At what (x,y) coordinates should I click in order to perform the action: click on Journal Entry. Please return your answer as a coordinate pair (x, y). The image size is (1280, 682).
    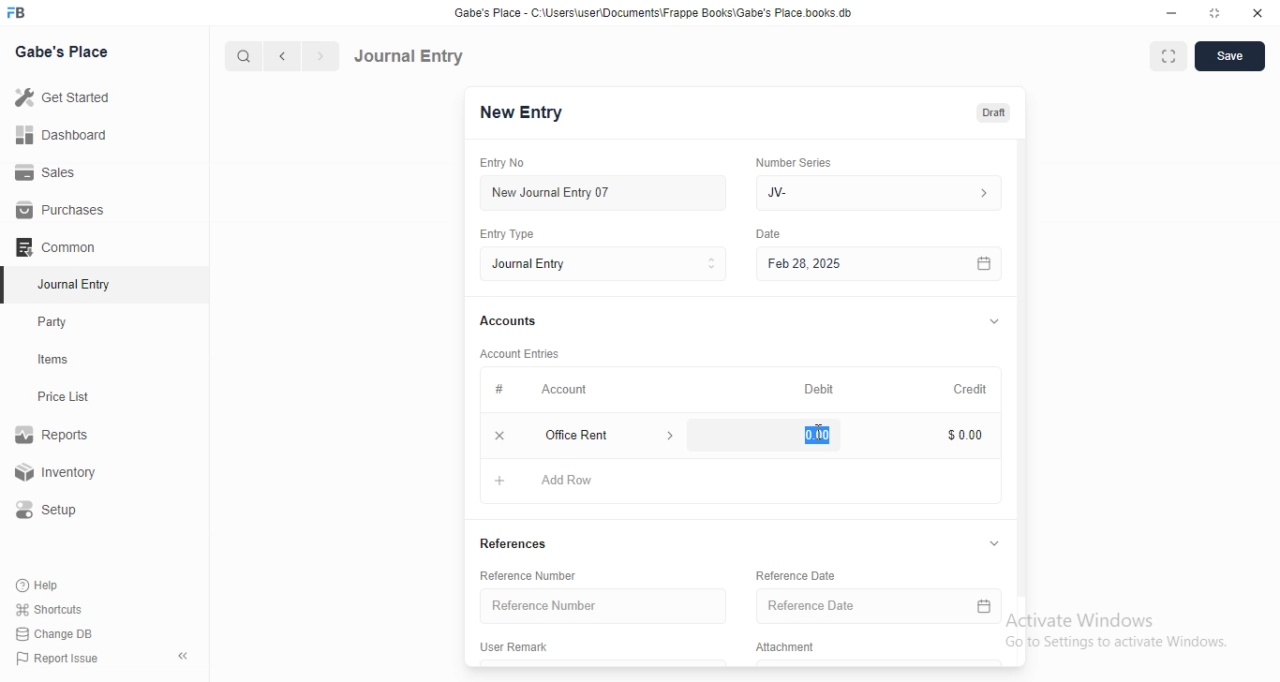
    Looking at the image, I should click on (409, 56).